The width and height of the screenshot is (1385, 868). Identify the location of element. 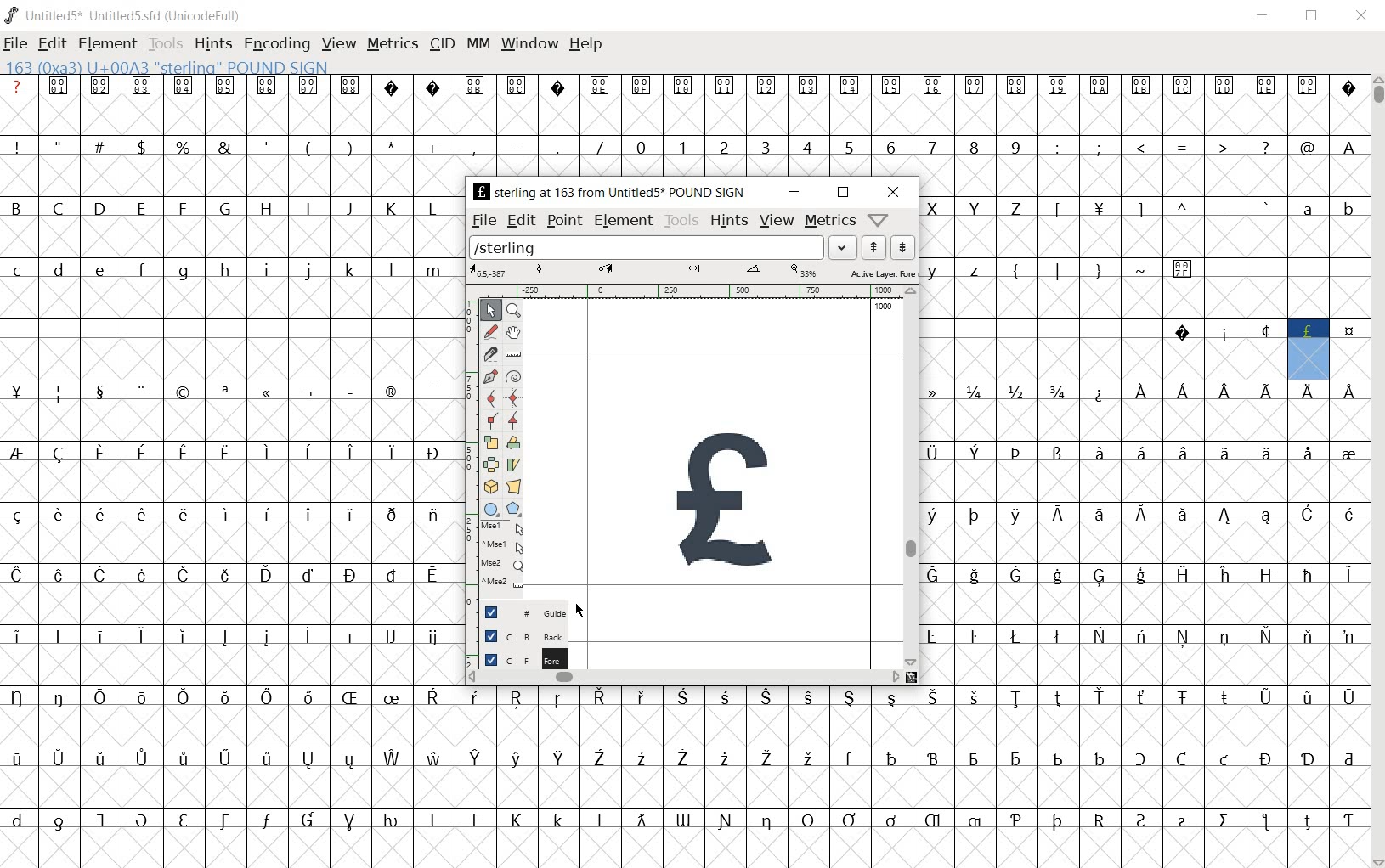
(624, 219).